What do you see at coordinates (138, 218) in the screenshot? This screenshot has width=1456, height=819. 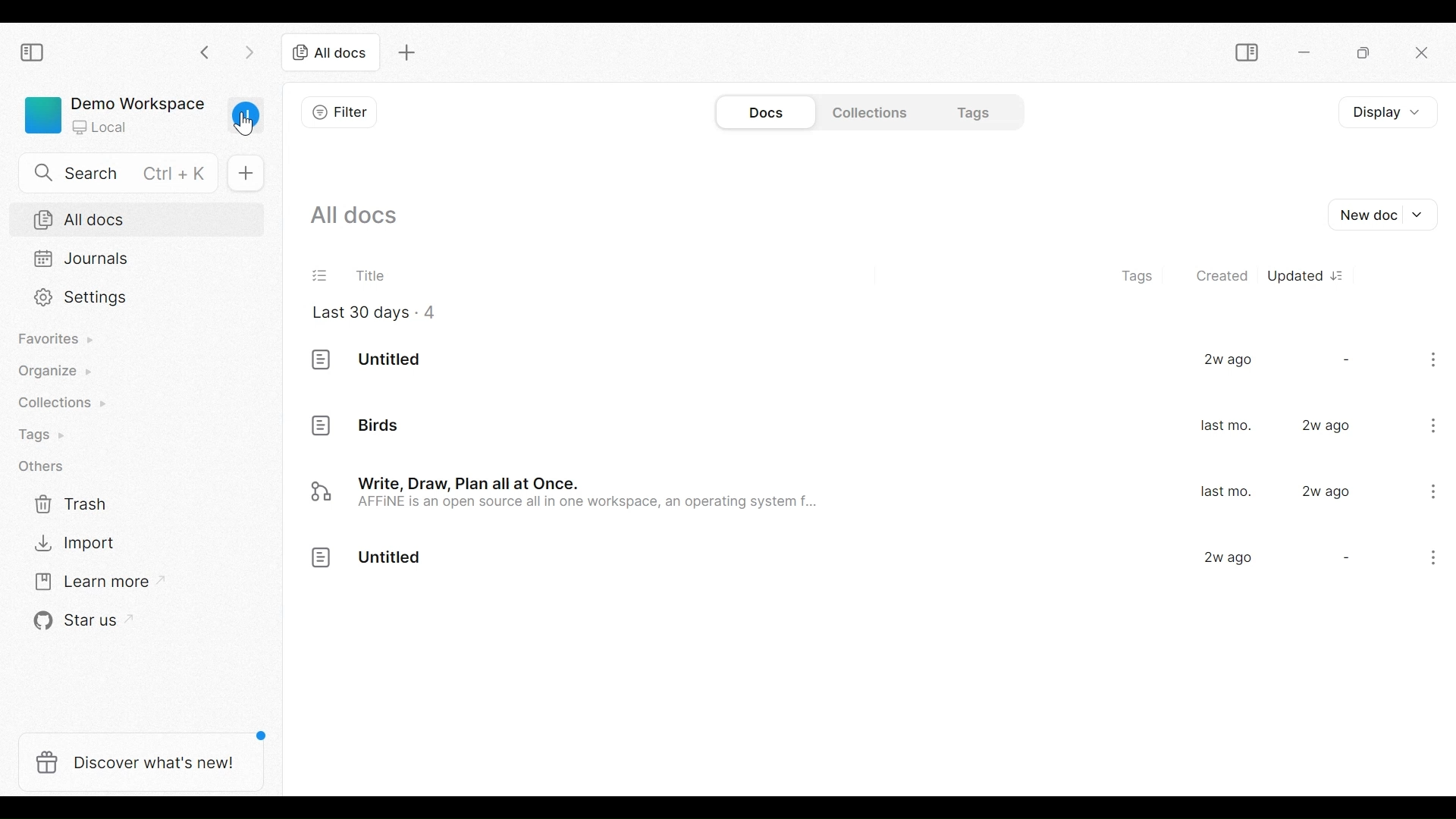 I see `All documents` at bounding box center [138, 218].